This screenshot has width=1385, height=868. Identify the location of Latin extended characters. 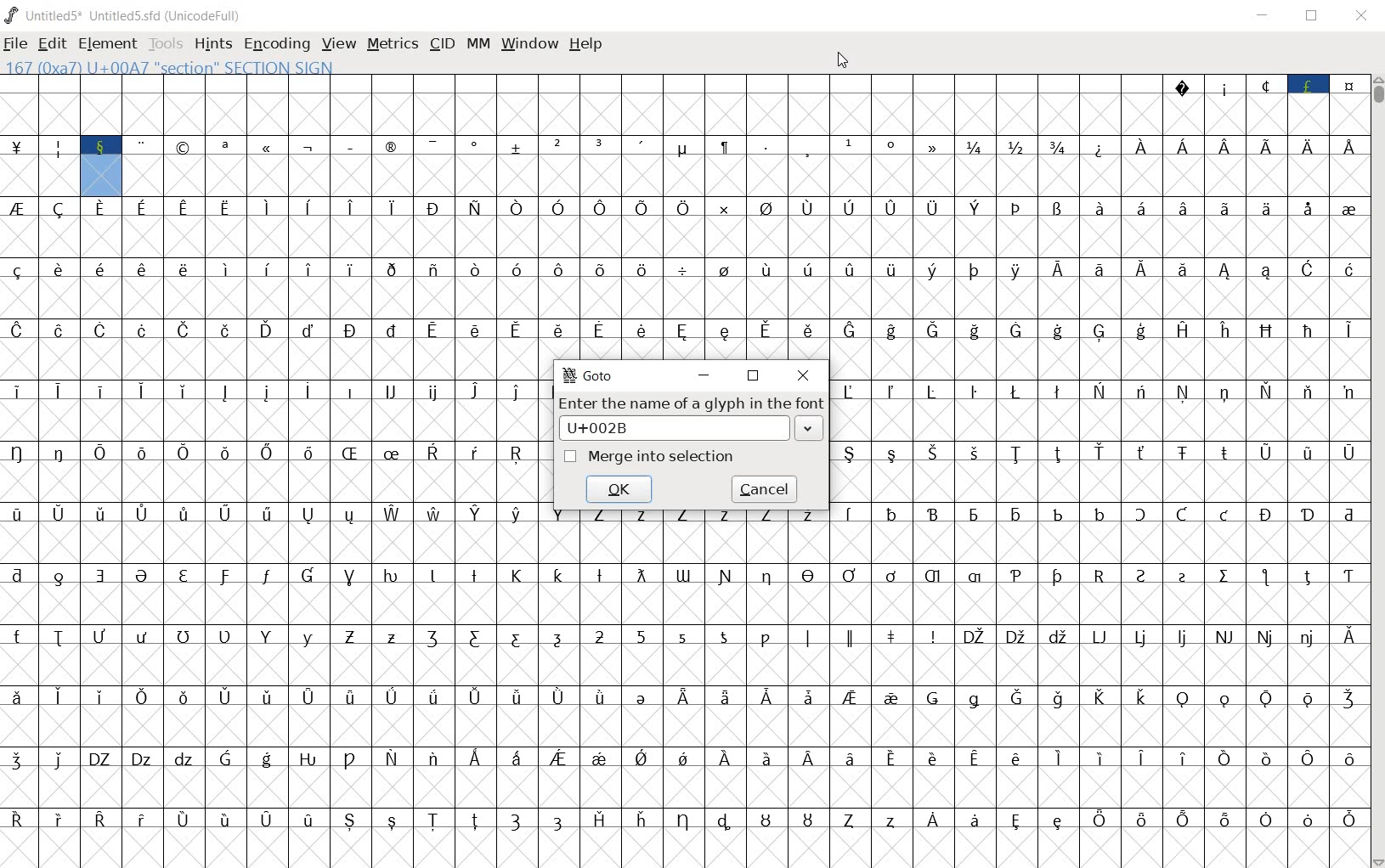
(188, 533).